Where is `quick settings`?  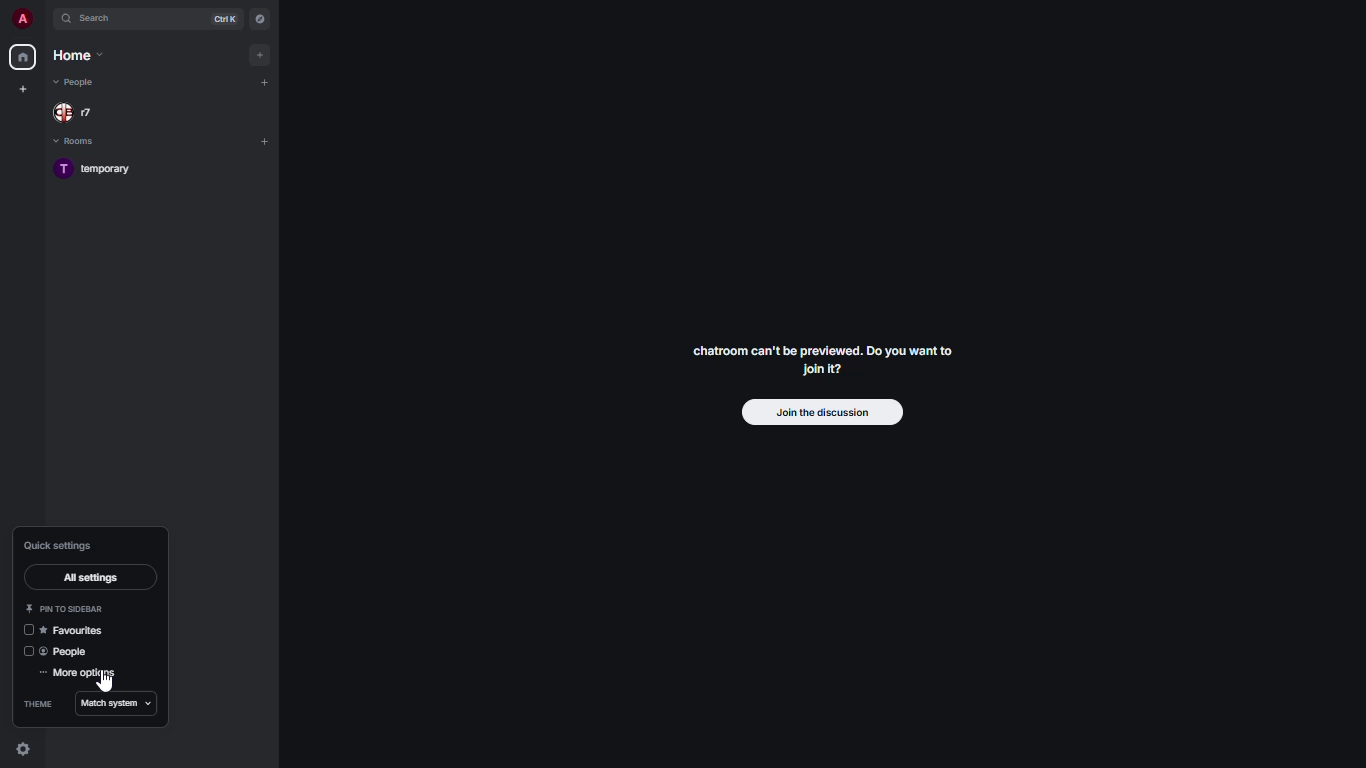
quick settings is located at coordinates (64, 545).